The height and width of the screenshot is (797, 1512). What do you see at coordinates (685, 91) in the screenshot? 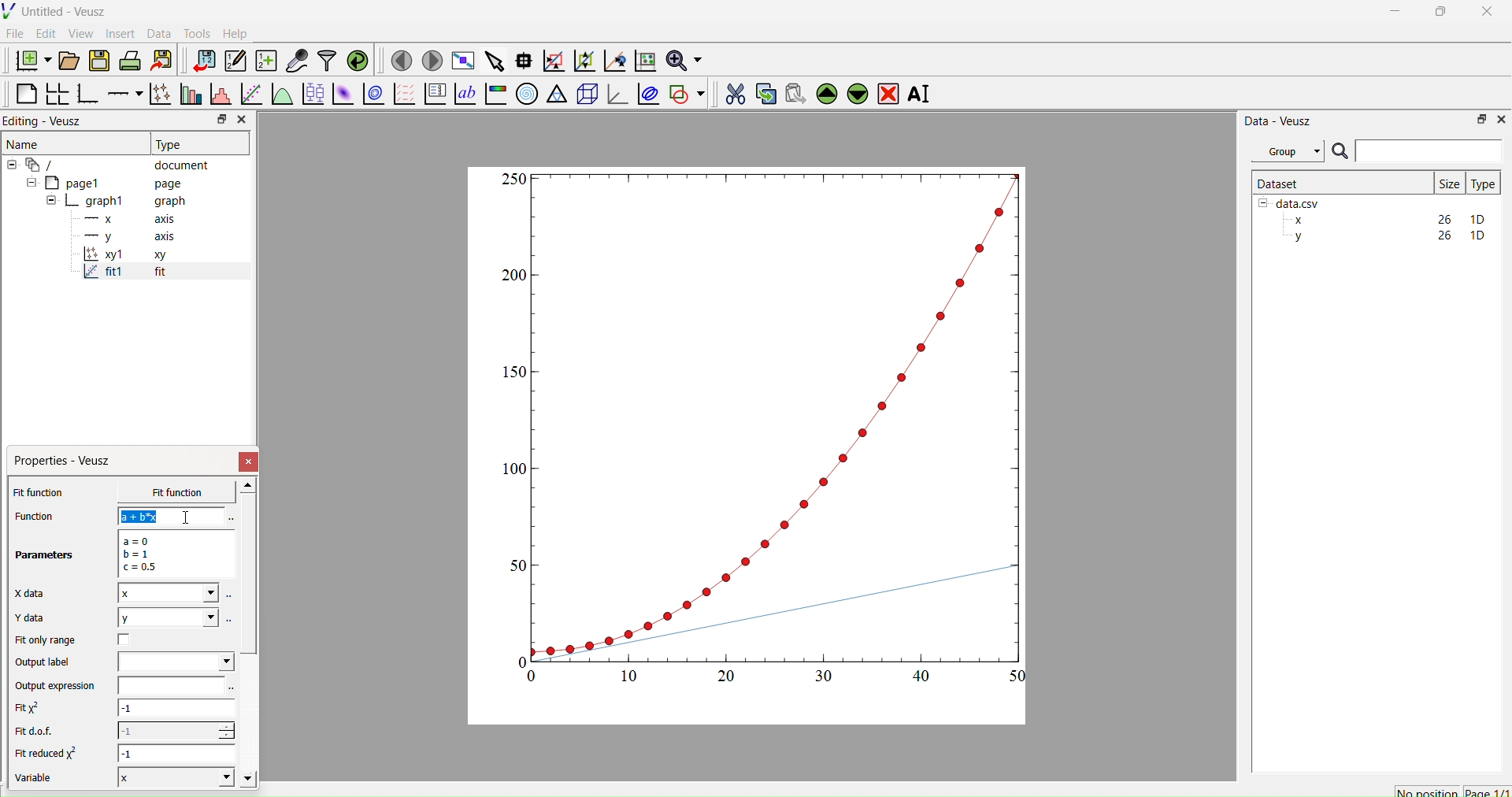
I see `Add Shape` at bounding box center [685, 91].